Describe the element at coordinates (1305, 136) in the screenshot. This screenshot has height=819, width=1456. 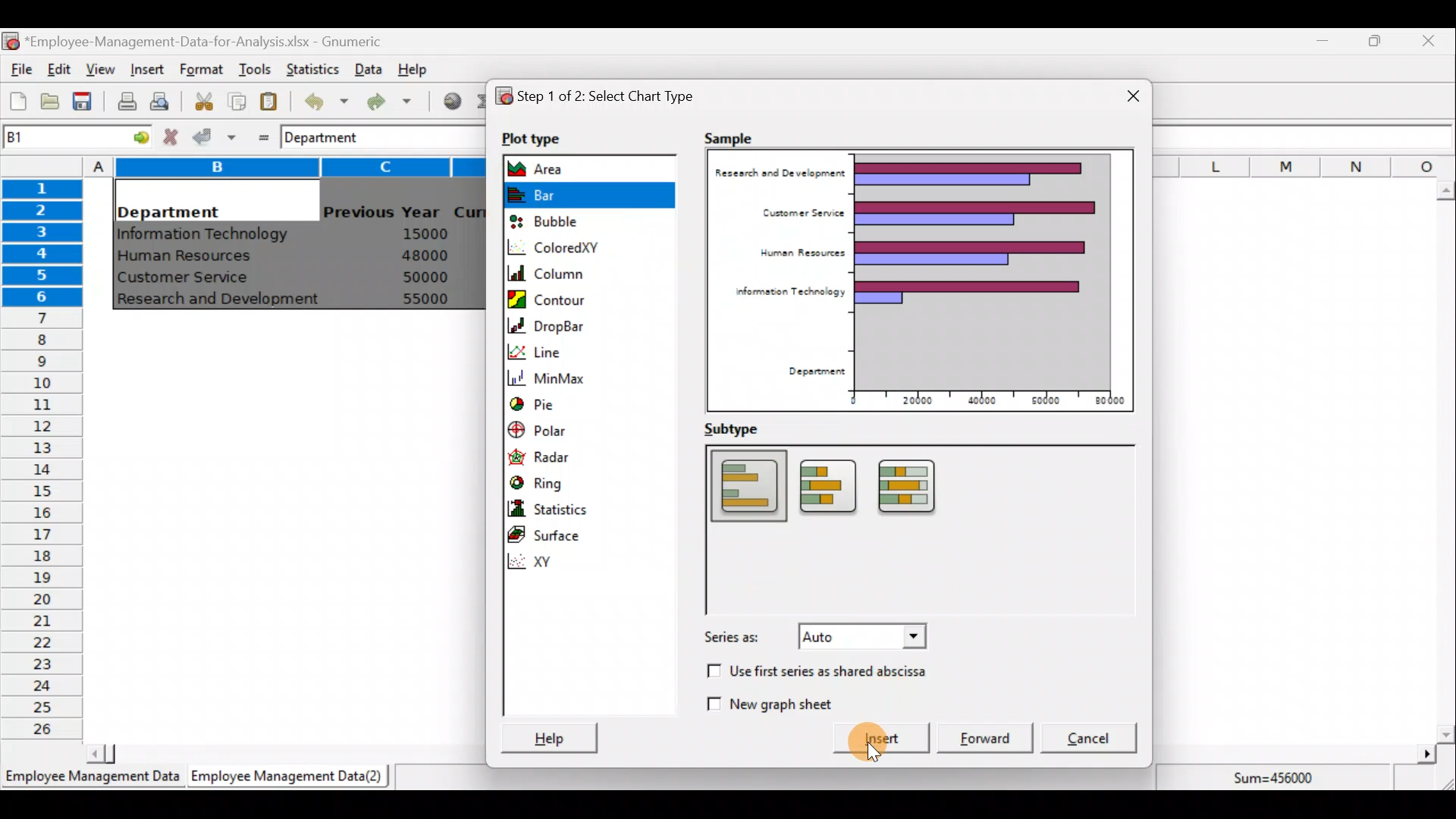
I see `Formula bar` at that location.